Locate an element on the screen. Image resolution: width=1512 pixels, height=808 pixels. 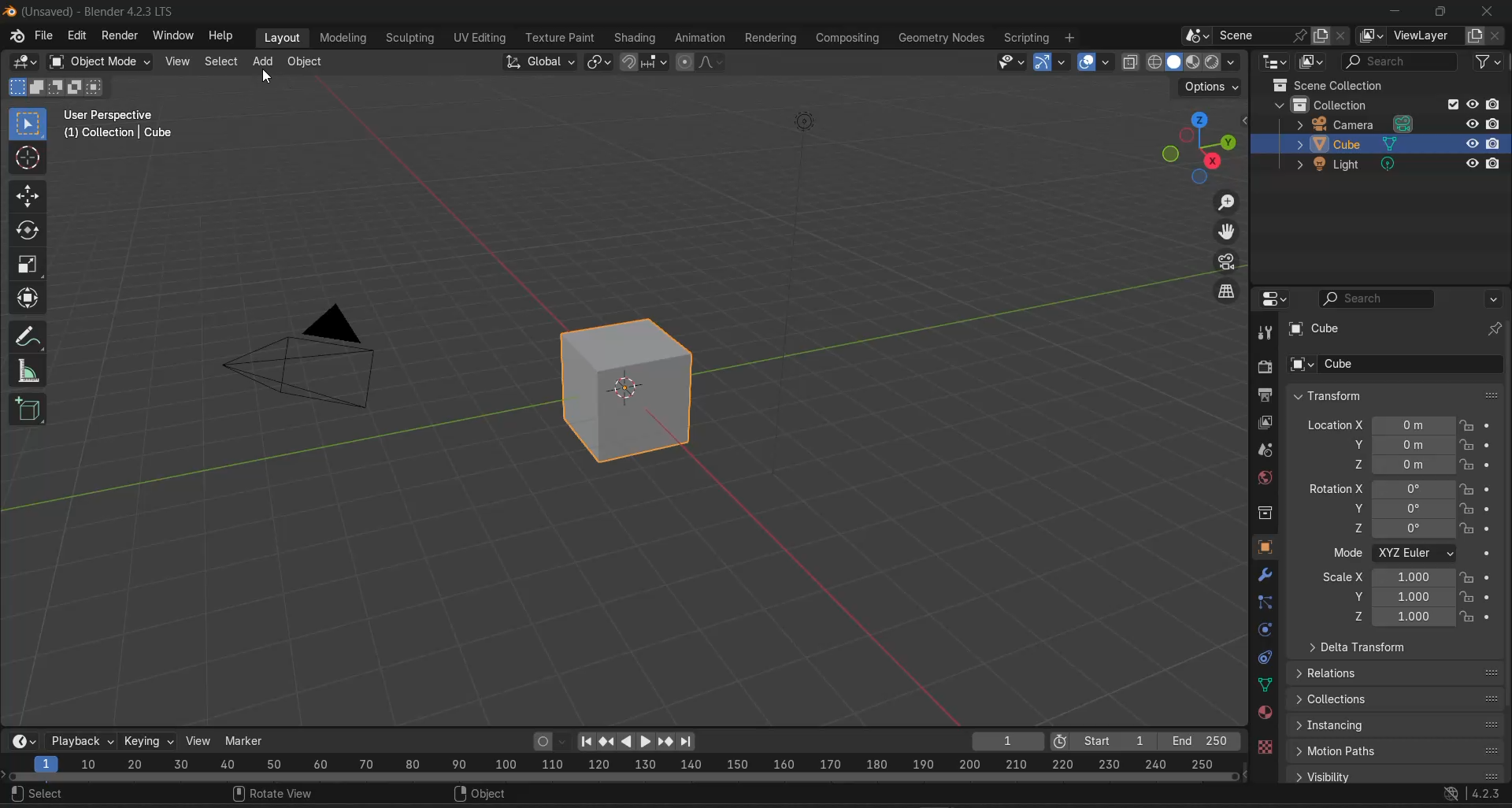
camera is located at coordinates (1358, 123).